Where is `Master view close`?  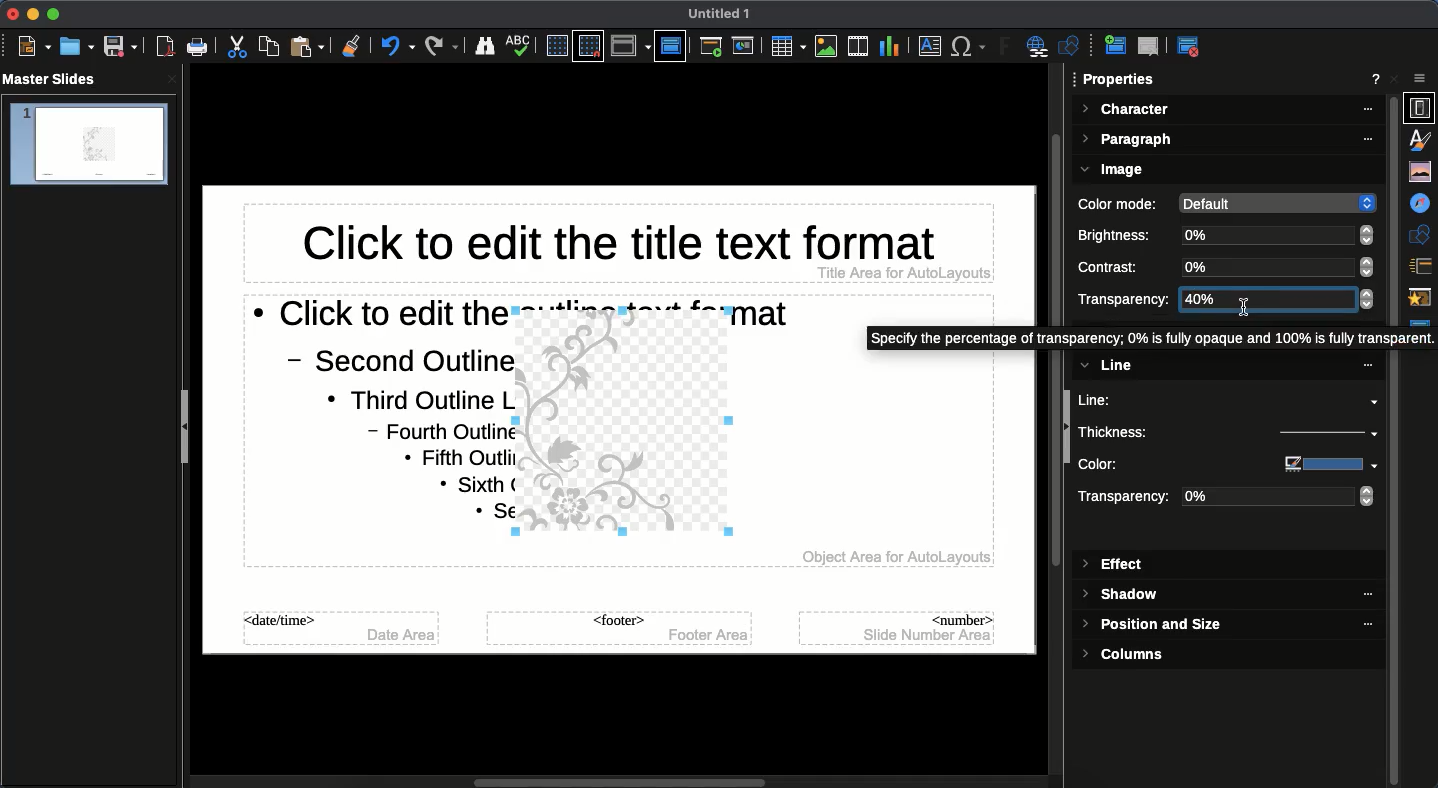
Master view close is located at coordinates (1192, 46).